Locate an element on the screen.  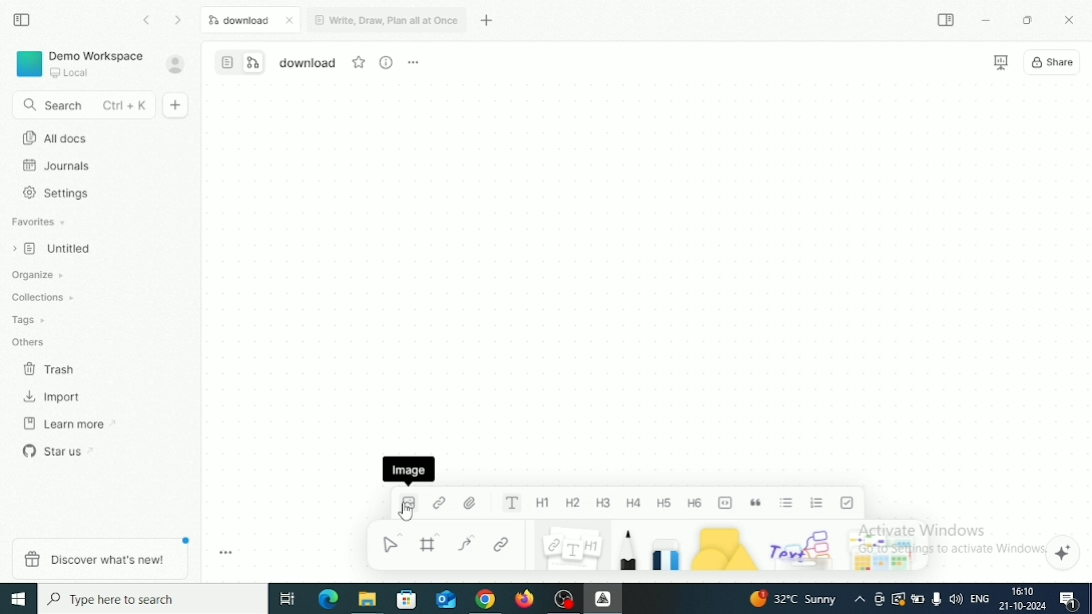
OBS Studio is located at coordinates (564, 600).